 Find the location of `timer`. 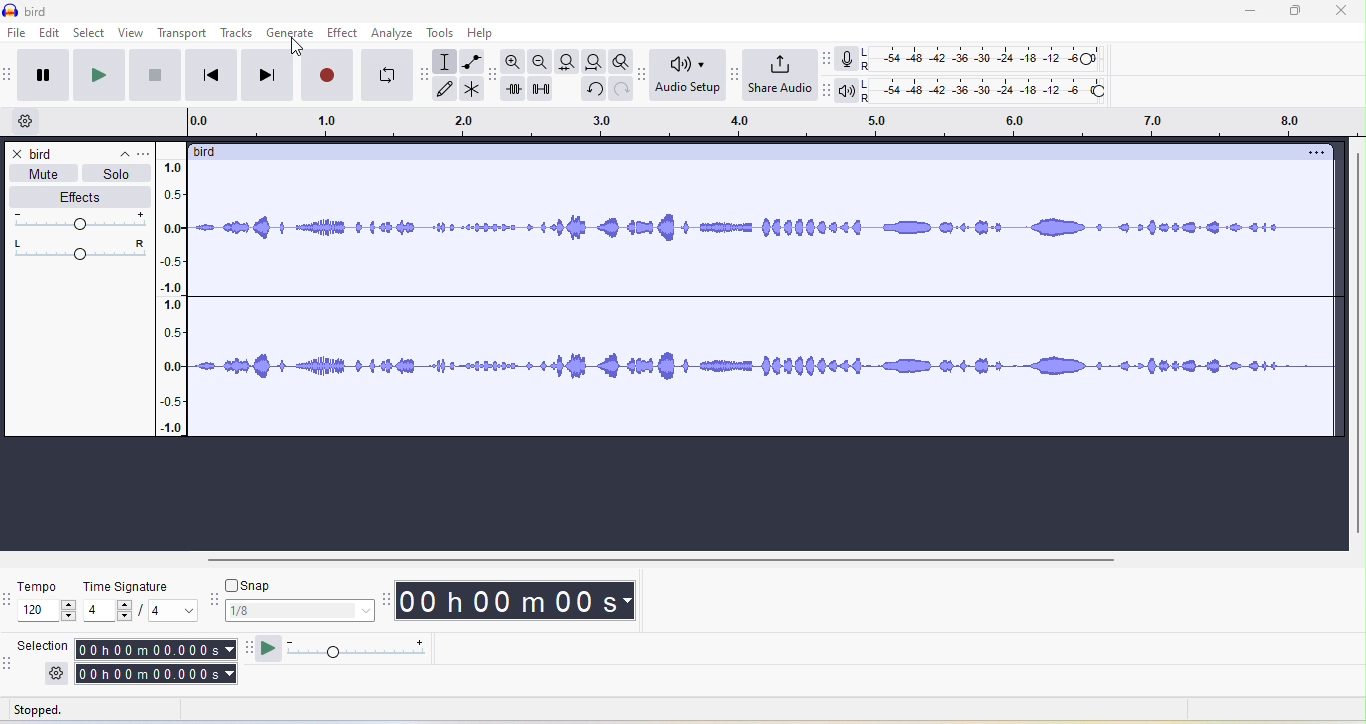

timer is located at coordinates (522, 601).